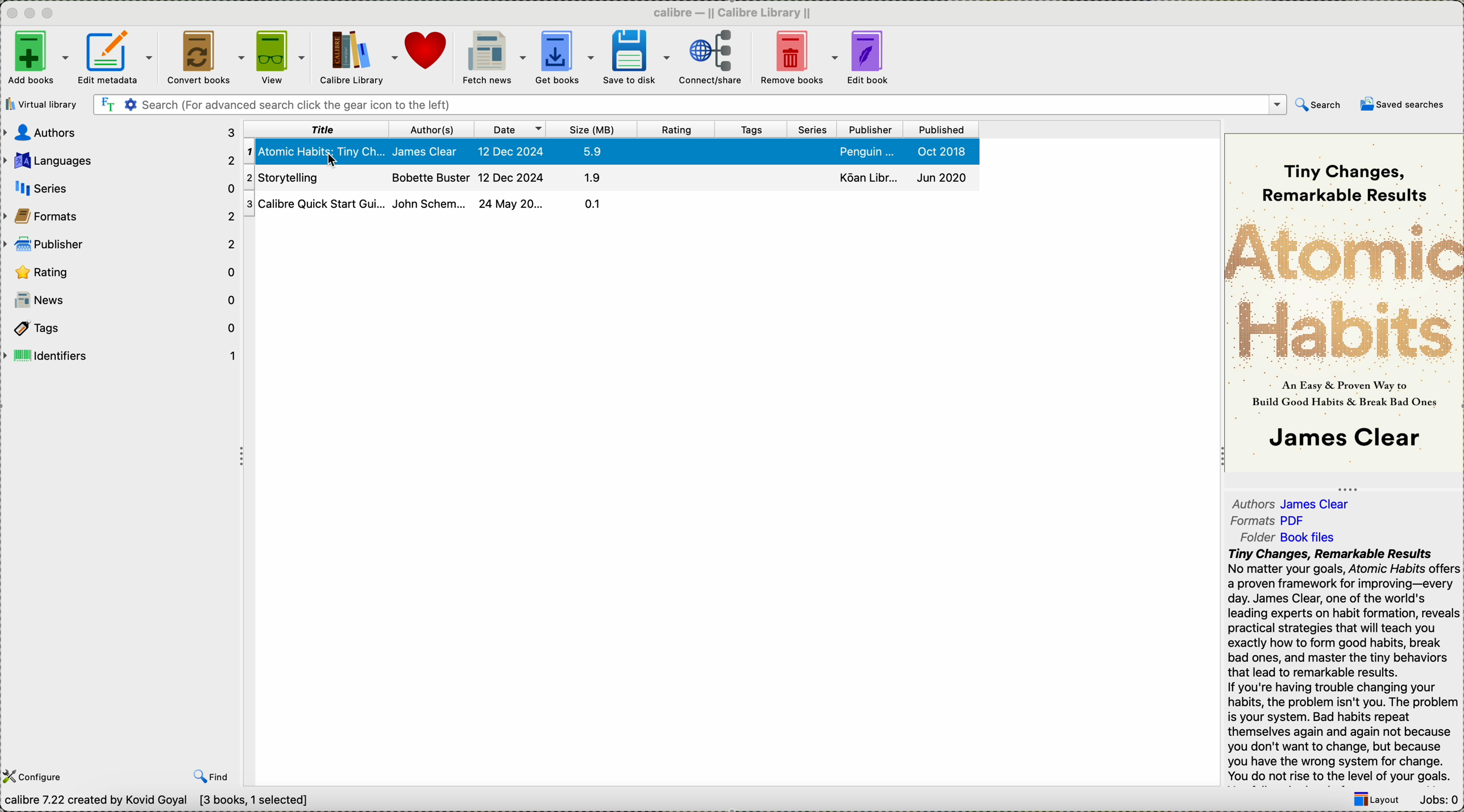 The image size is (1464, 812). I want to click on series, so click(816, 130).